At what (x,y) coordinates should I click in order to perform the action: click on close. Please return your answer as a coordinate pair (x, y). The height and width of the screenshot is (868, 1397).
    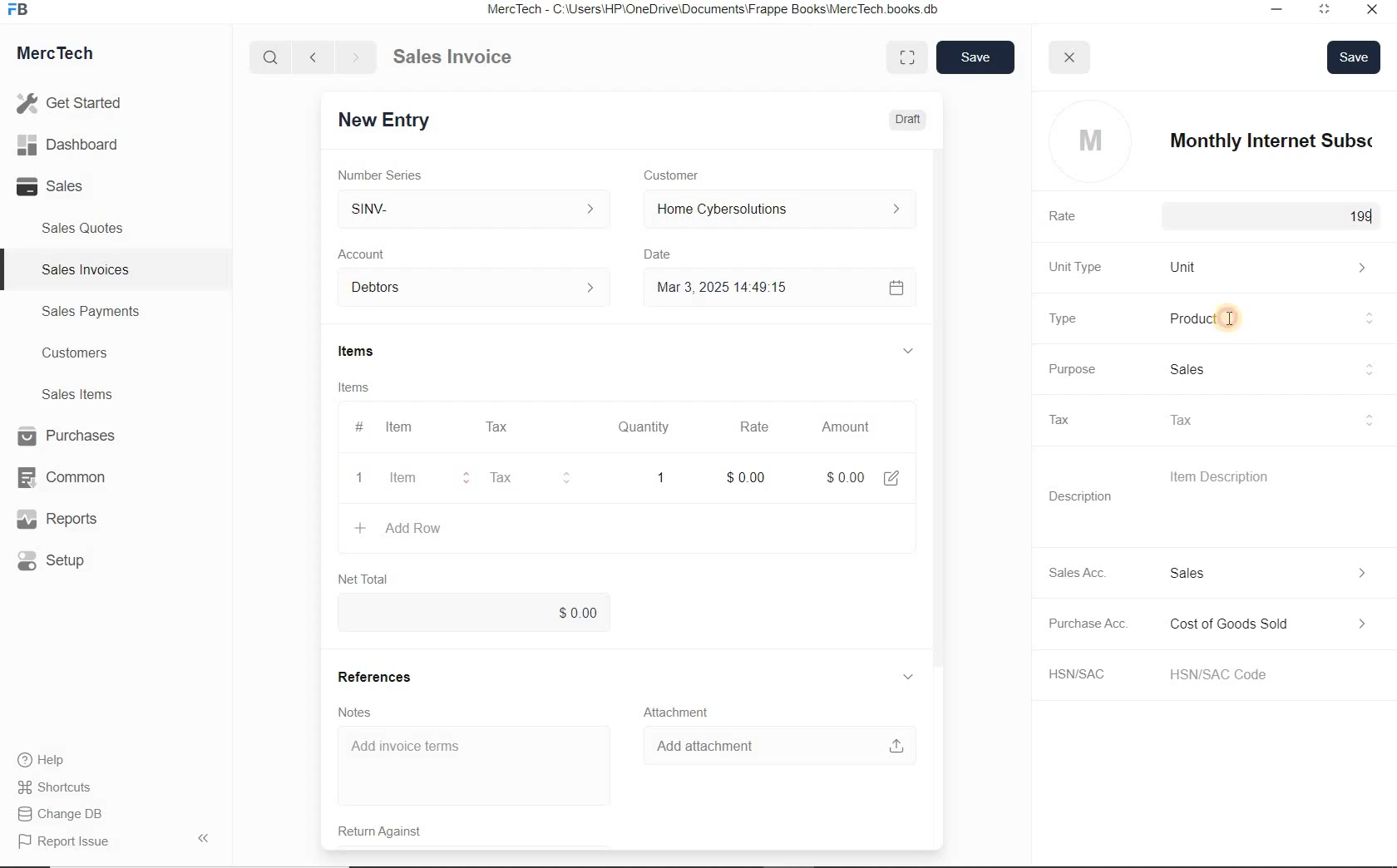
    Looking at the image, I should click on (1069, 57).